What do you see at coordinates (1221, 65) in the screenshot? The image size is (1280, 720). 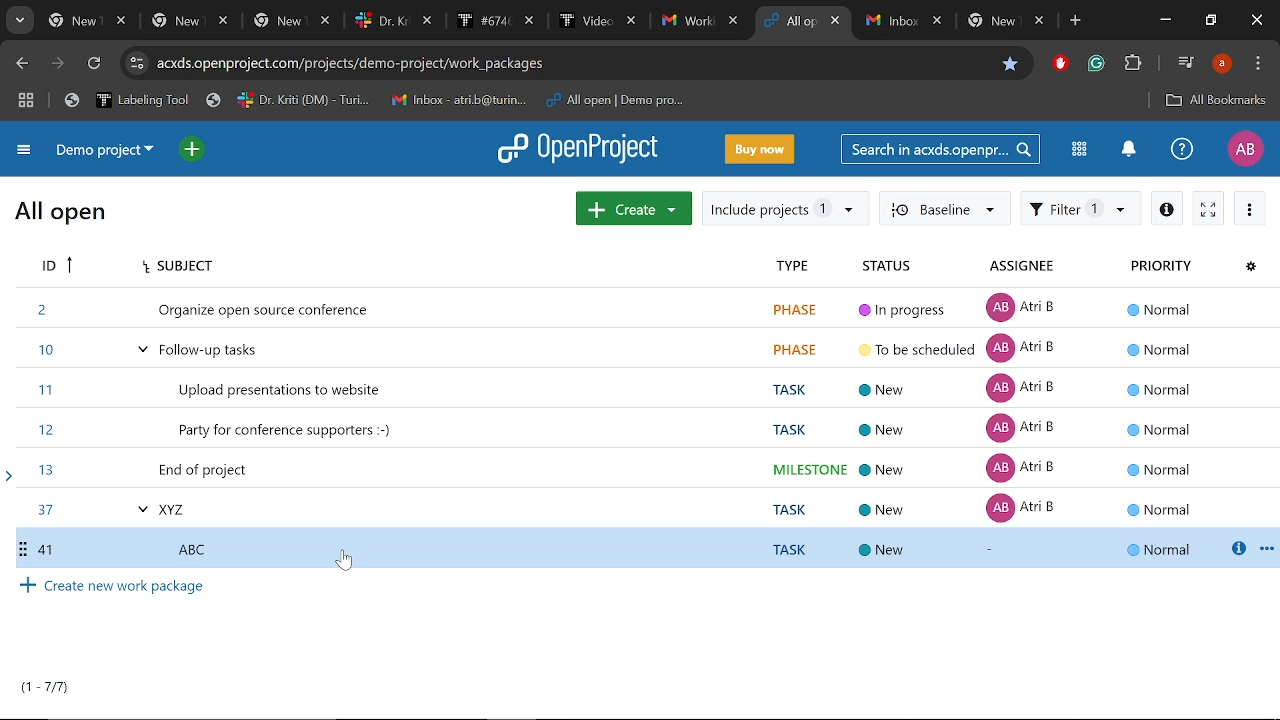 I see `Profile` at bounding box center [1221, 65].